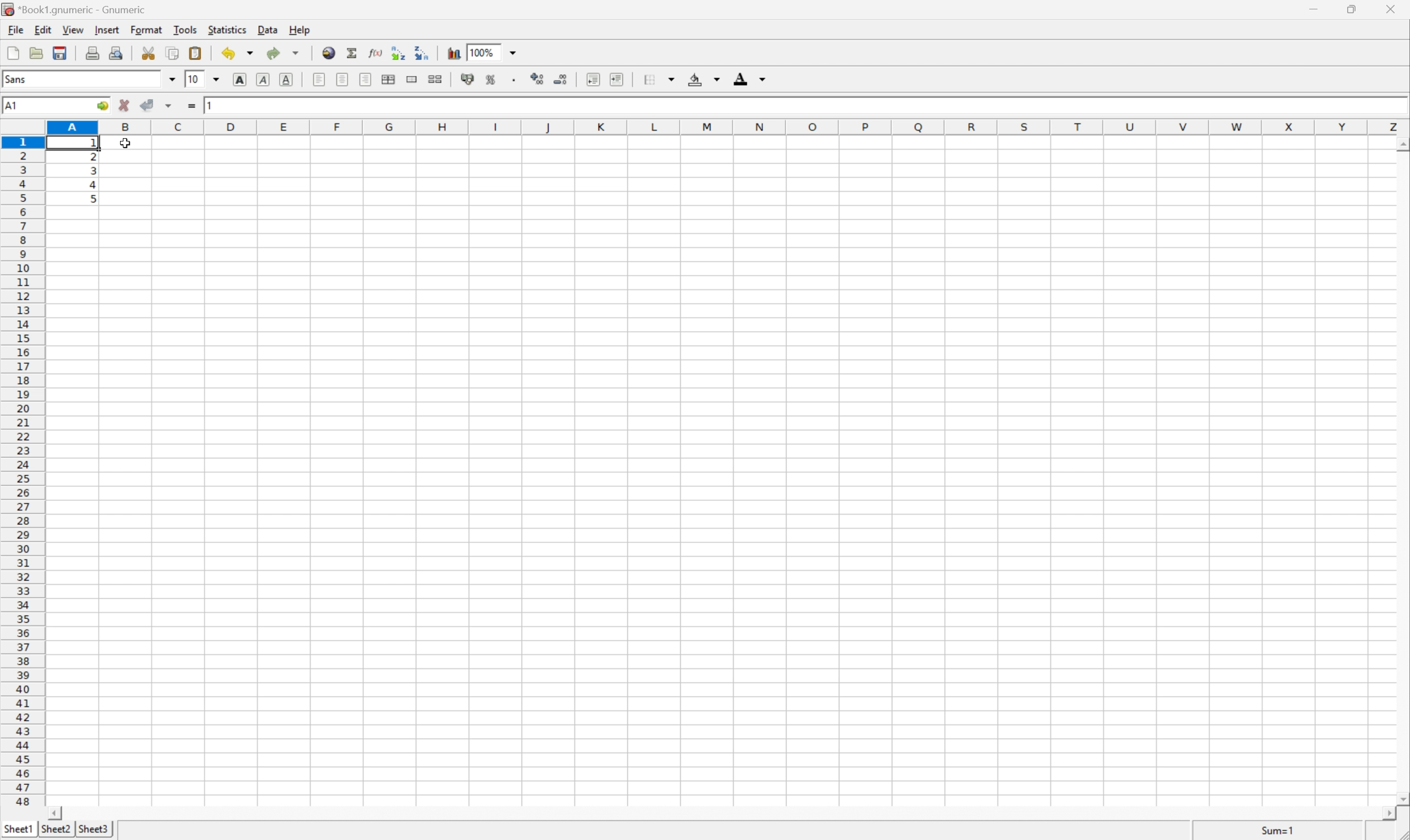 The width and height of the screenshot is (1410, 840). I want to click on Undo, so click(239, 53).